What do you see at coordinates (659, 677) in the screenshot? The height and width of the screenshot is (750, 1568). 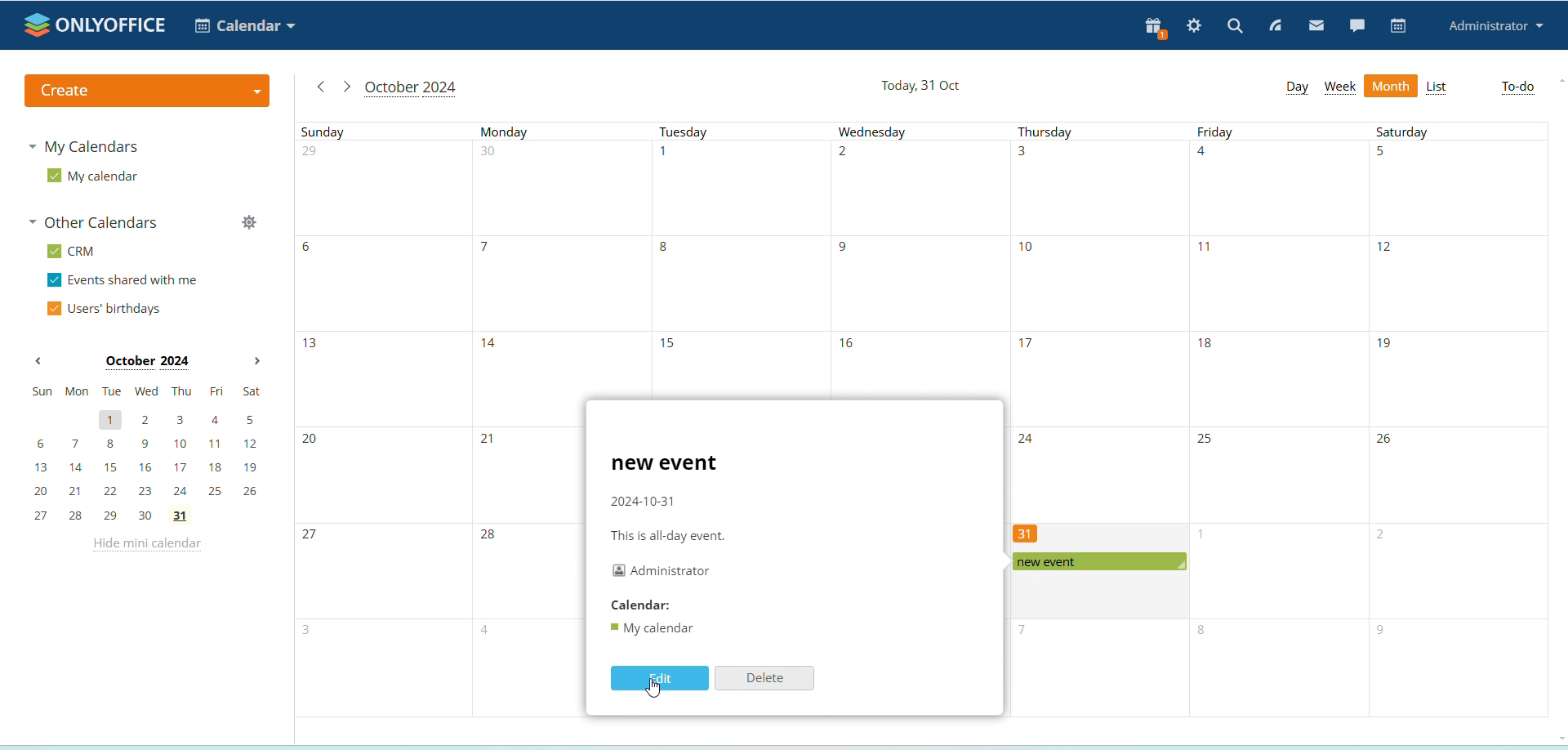 I see `edit` at bounding box center [659, 677].